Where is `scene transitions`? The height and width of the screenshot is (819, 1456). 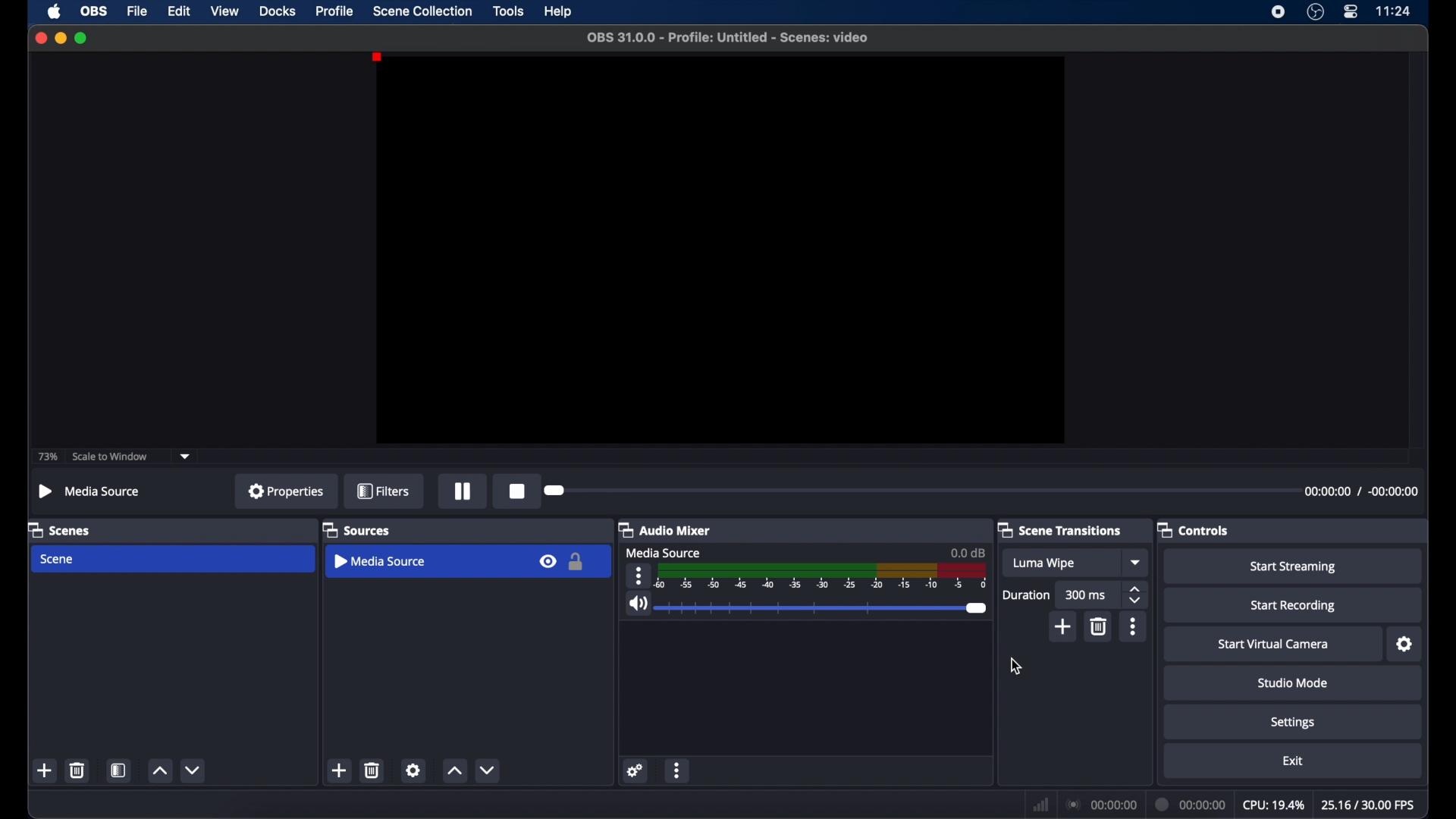
scene transitions is located at coordinates (1060, 529).